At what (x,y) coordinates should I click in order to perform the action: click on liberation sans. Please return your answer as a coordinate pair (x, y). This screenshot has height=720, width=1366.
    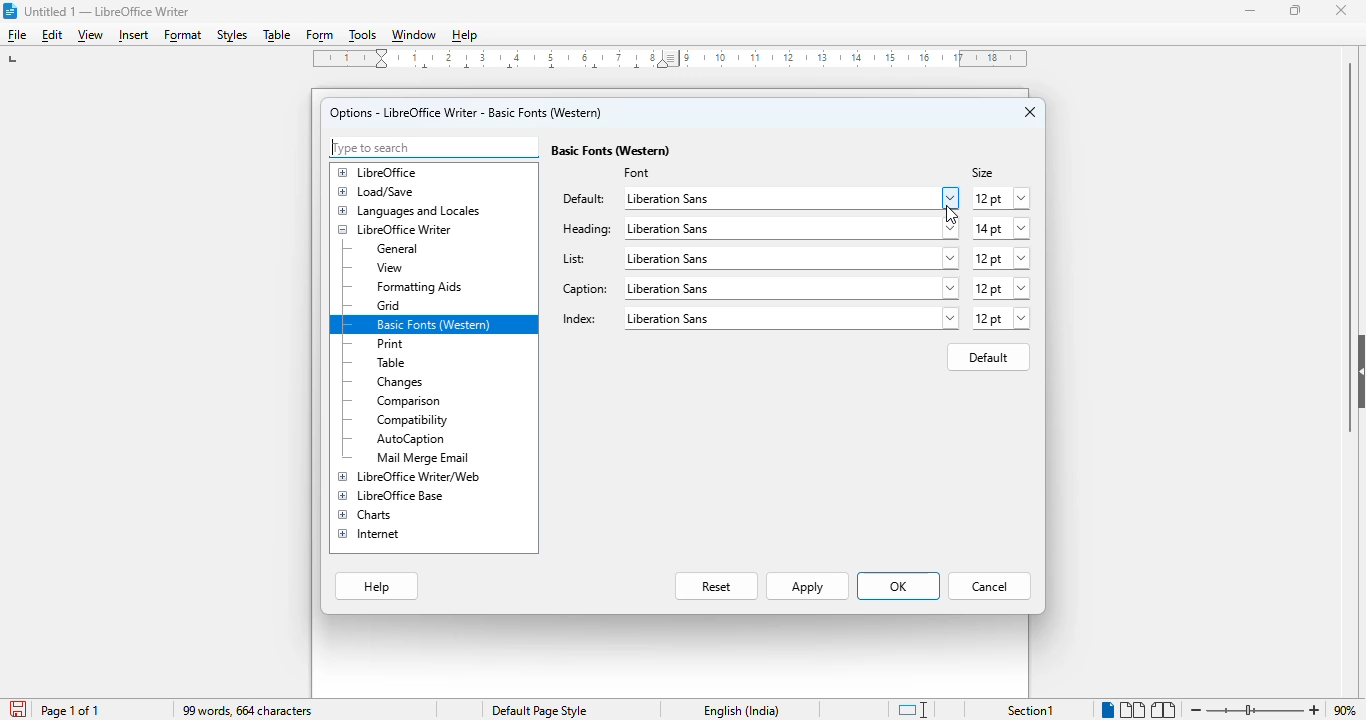
    Looking at the image, I should click on (791, 319).